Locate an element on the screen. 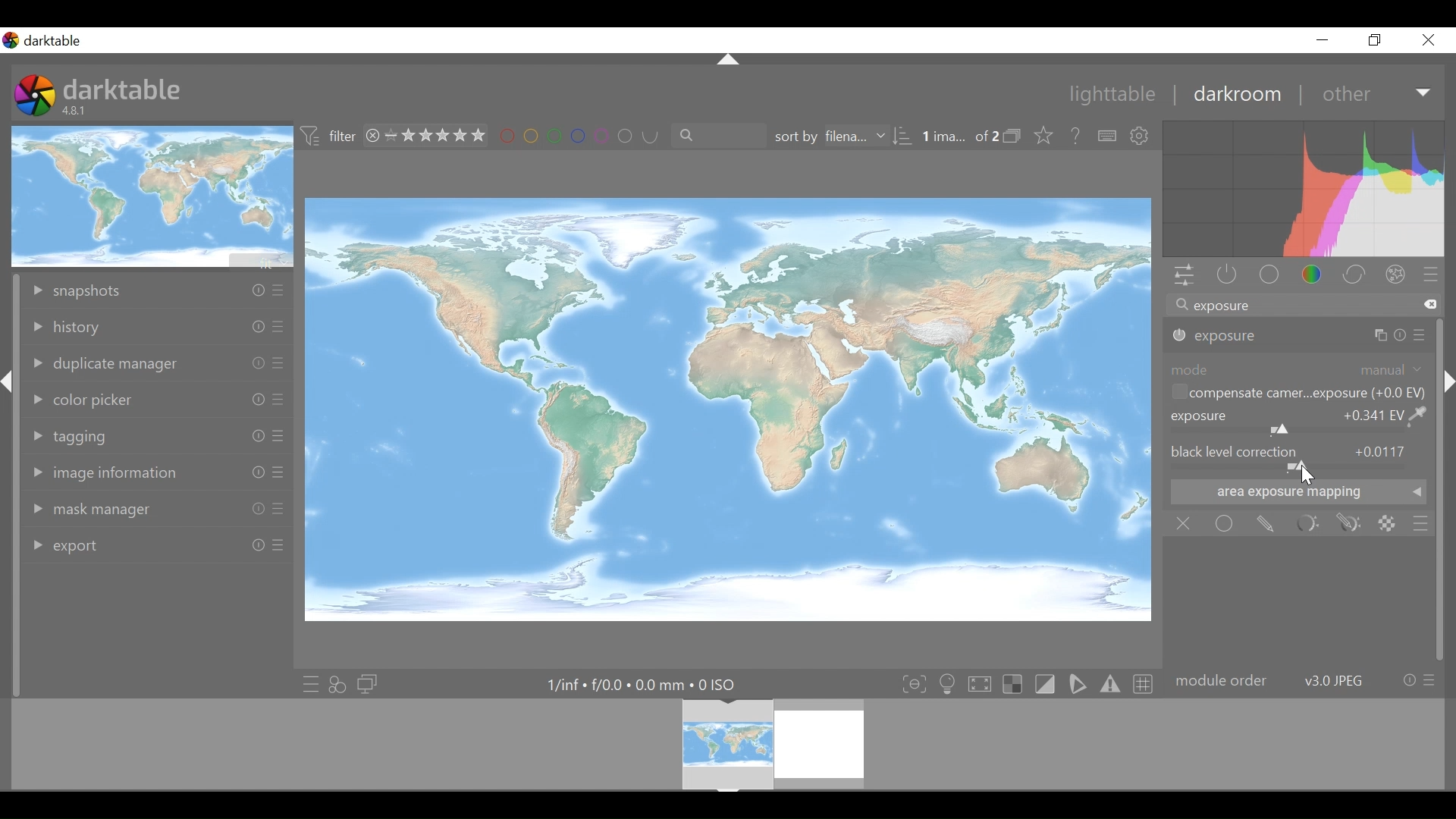  hide is located at coordinates (11, 386).